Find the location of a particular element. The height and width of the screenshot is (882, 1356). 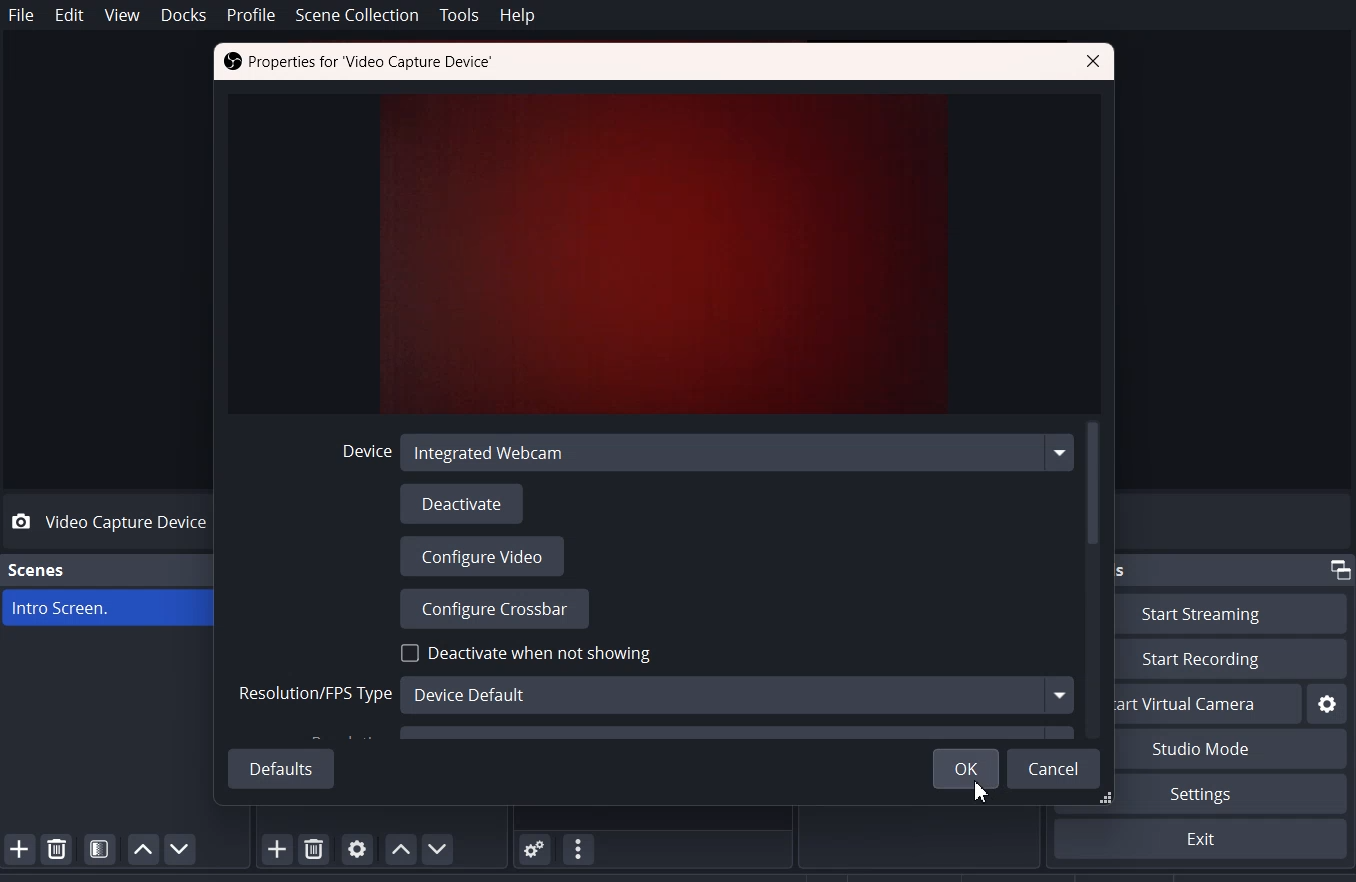

Move Scene Up is located at coordinates (143, 849).